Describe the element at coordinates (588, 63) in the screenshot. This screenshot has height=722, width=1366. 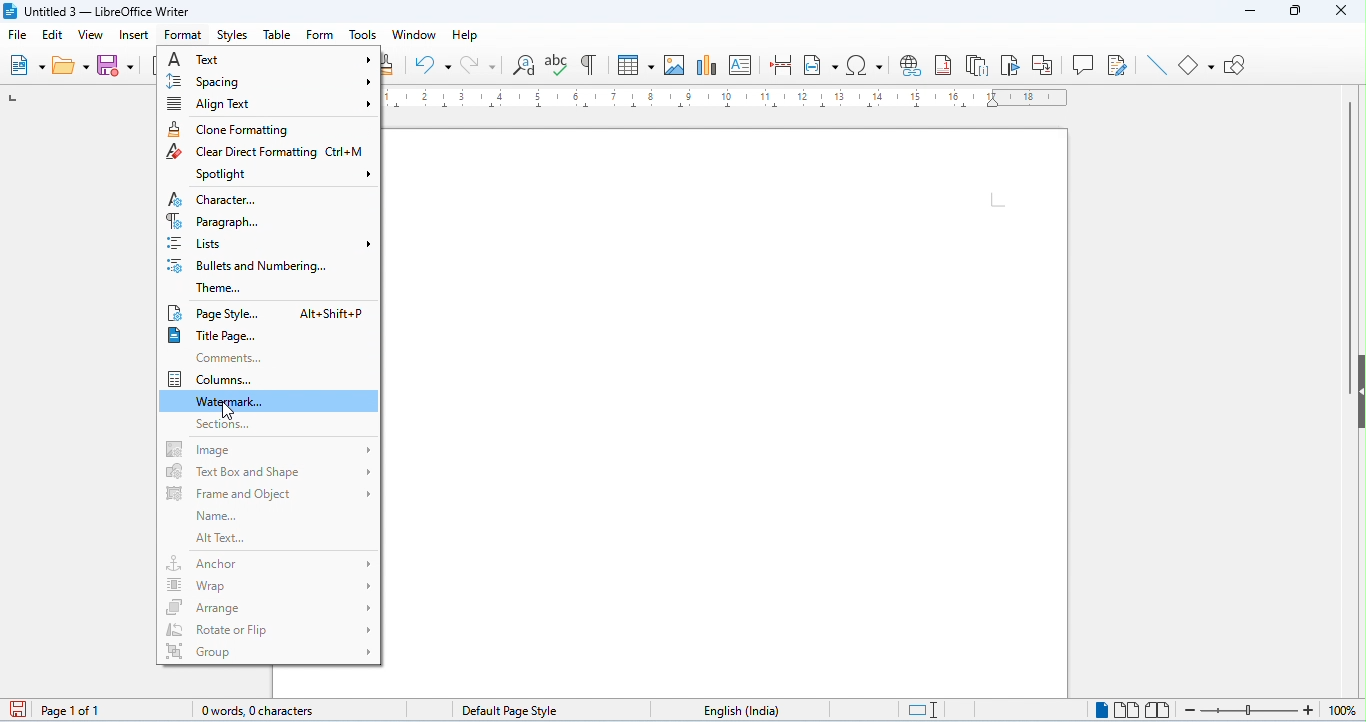
I see `toggle formatting marks` at that location.